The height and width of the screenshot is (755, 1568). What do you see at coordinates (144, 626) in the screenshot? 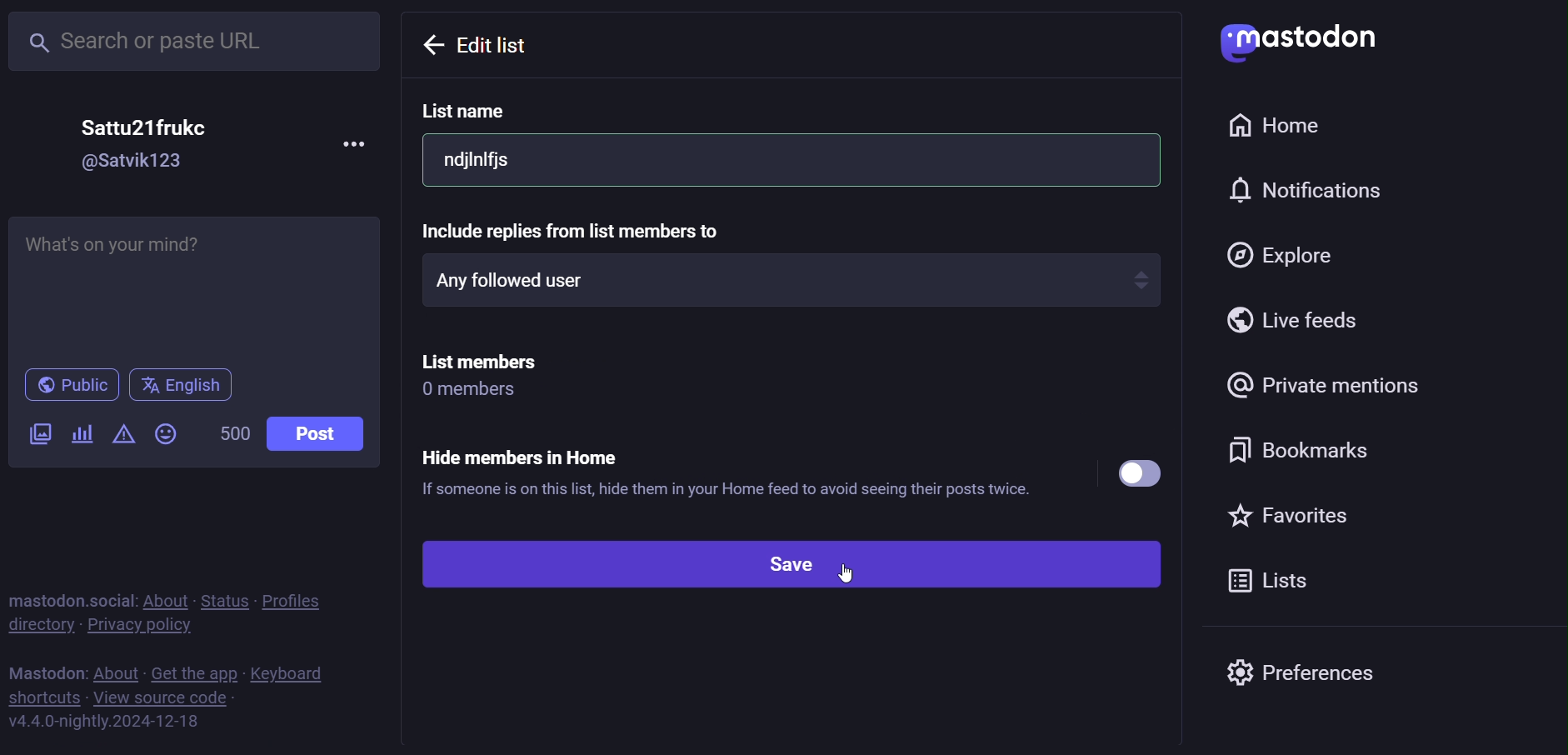
I see `private policy` at bounding box center [144, 626].